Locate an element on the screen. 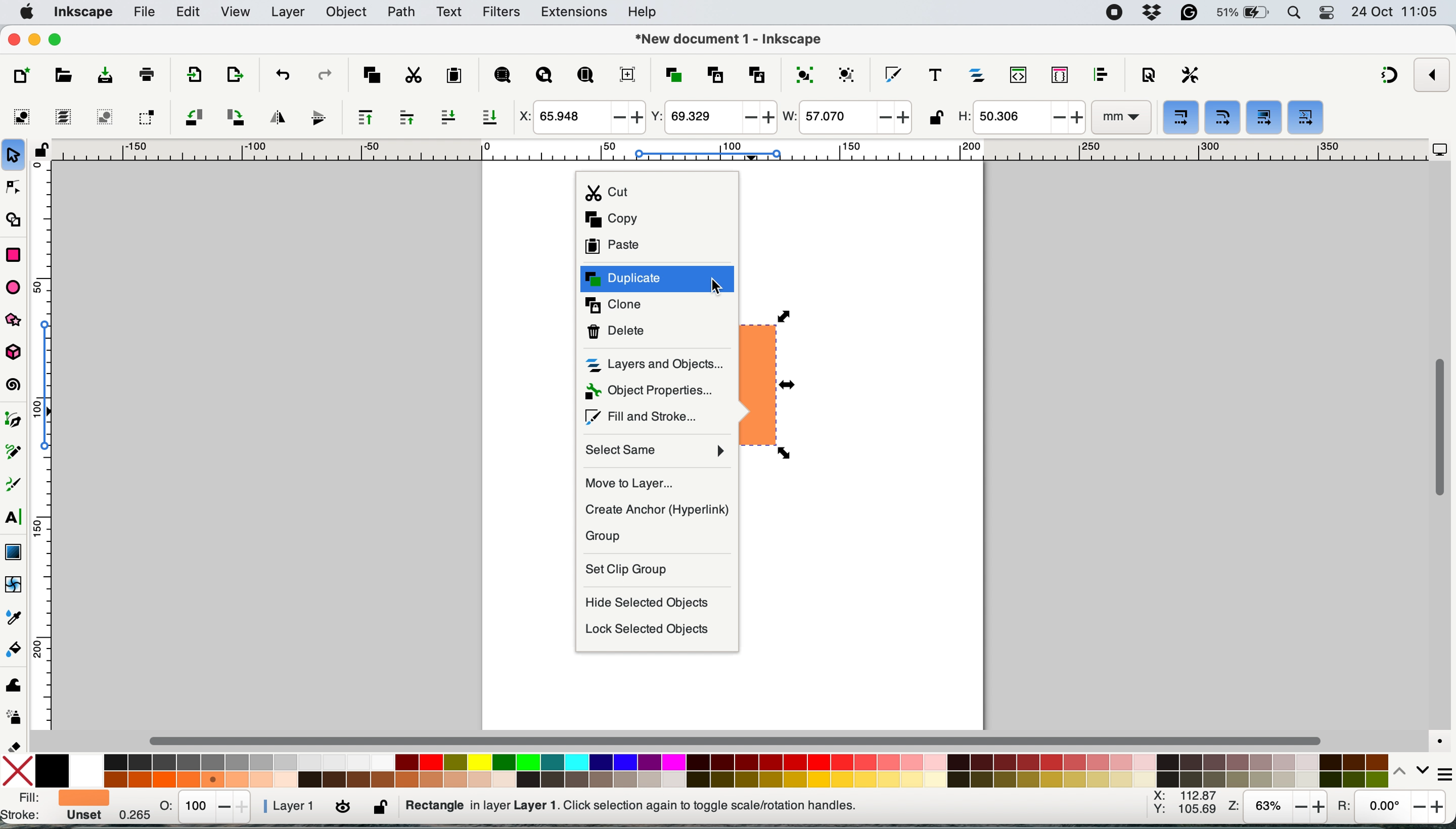 Image resolution: width=1456 pixels, height=829 pixels. layers and objects is located at coordinates (657, 365).